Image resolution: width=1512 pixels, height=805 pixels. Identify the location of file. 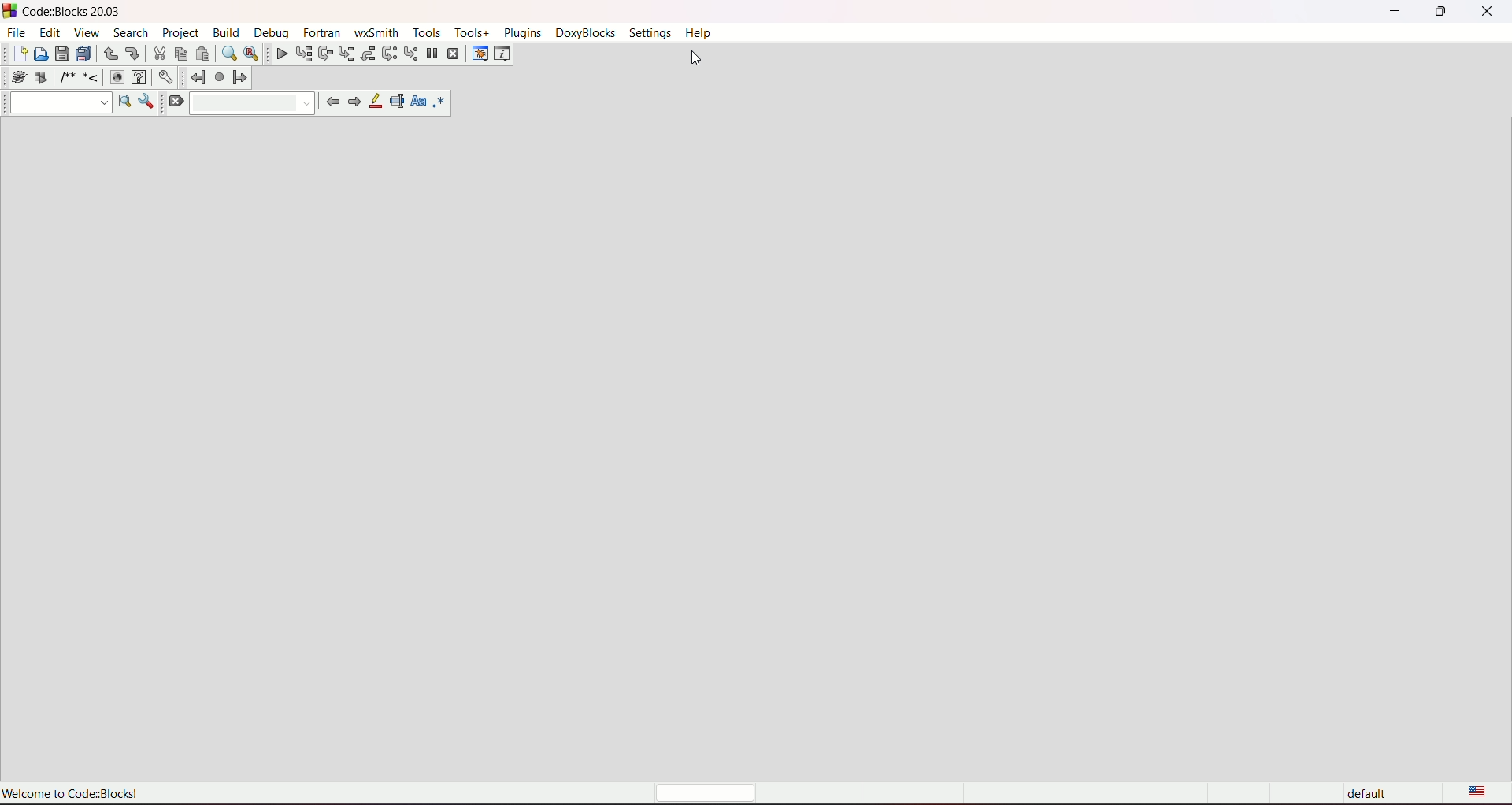
(17, 32).